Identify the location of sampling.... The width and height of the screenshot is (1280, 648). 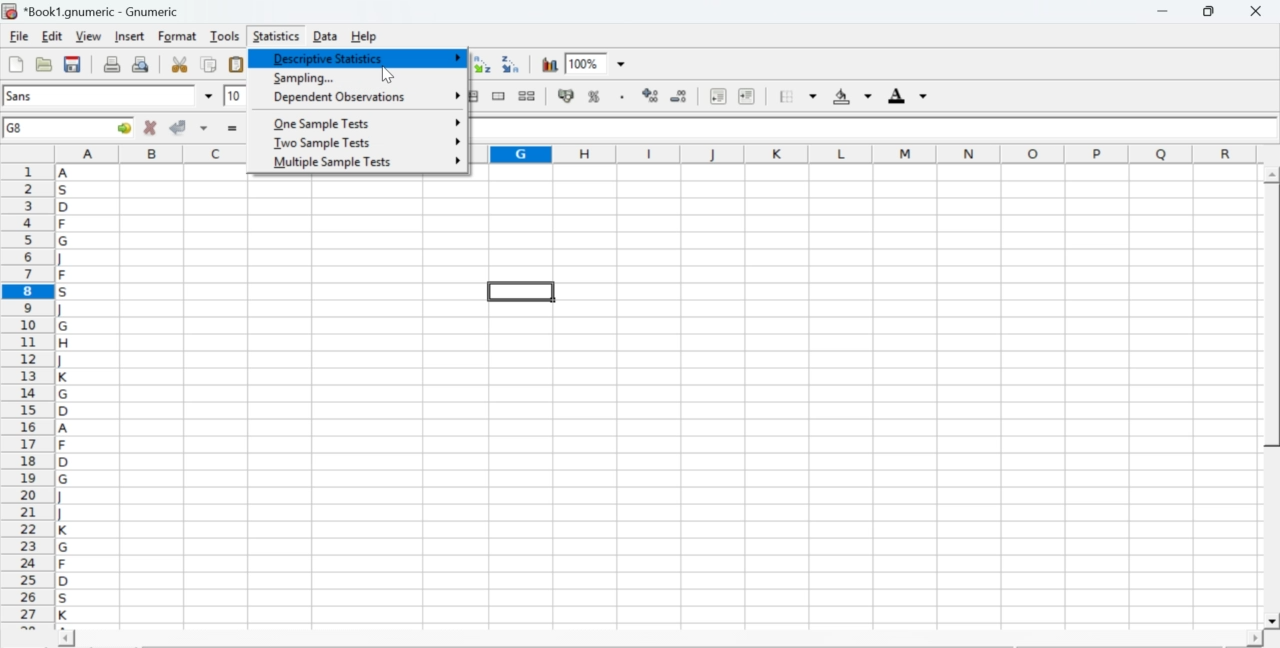
(303, 78).